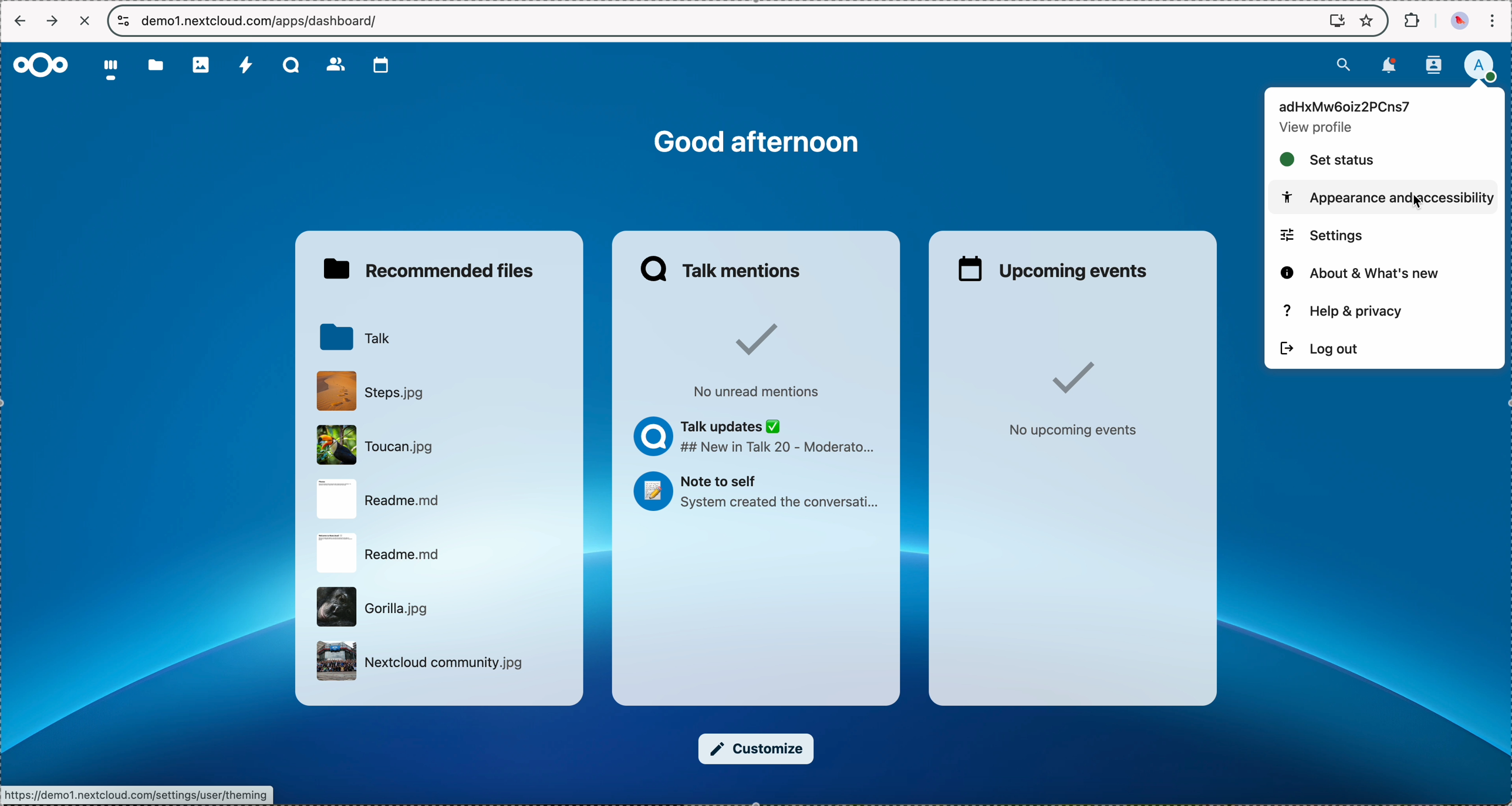  What do you see at coordinates (112, 72) in the screenshot?
I see `dashboard` at bounding box center [112, 72].